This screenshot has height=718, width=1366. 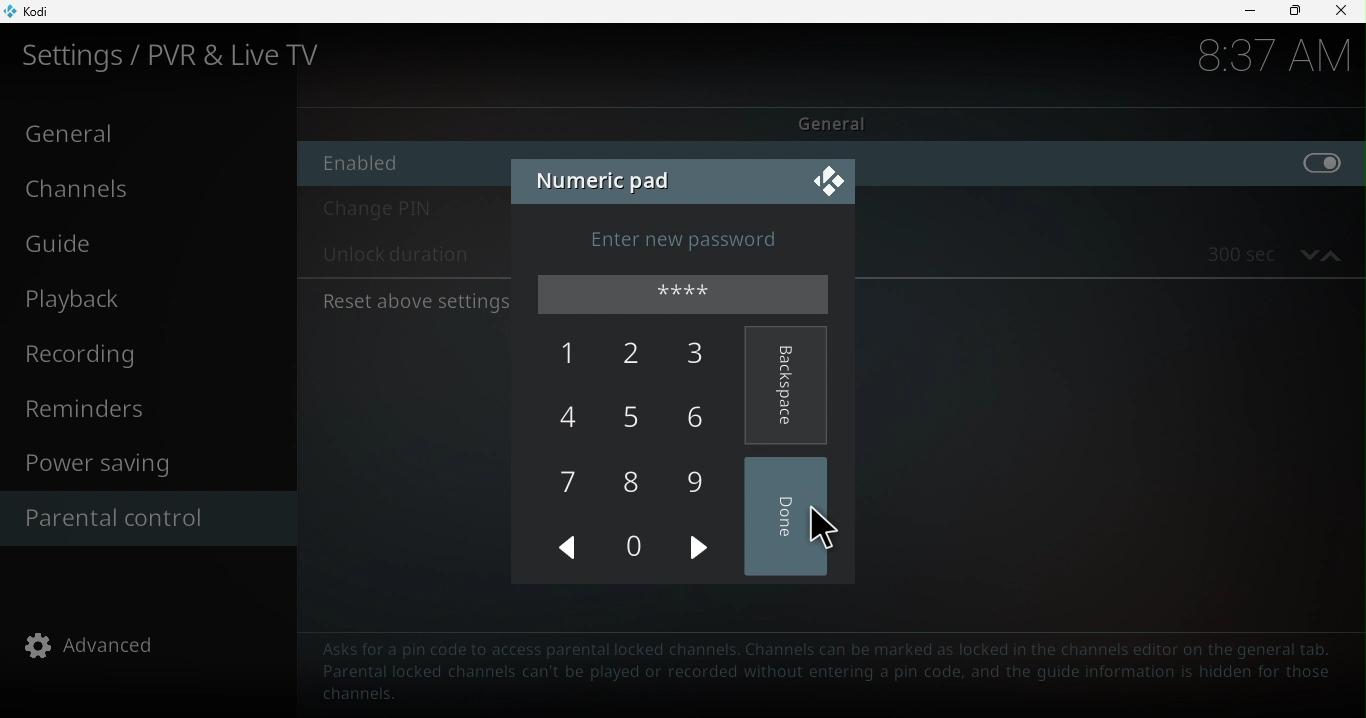 I want to click on decrease, so click(x=1306, y=253).